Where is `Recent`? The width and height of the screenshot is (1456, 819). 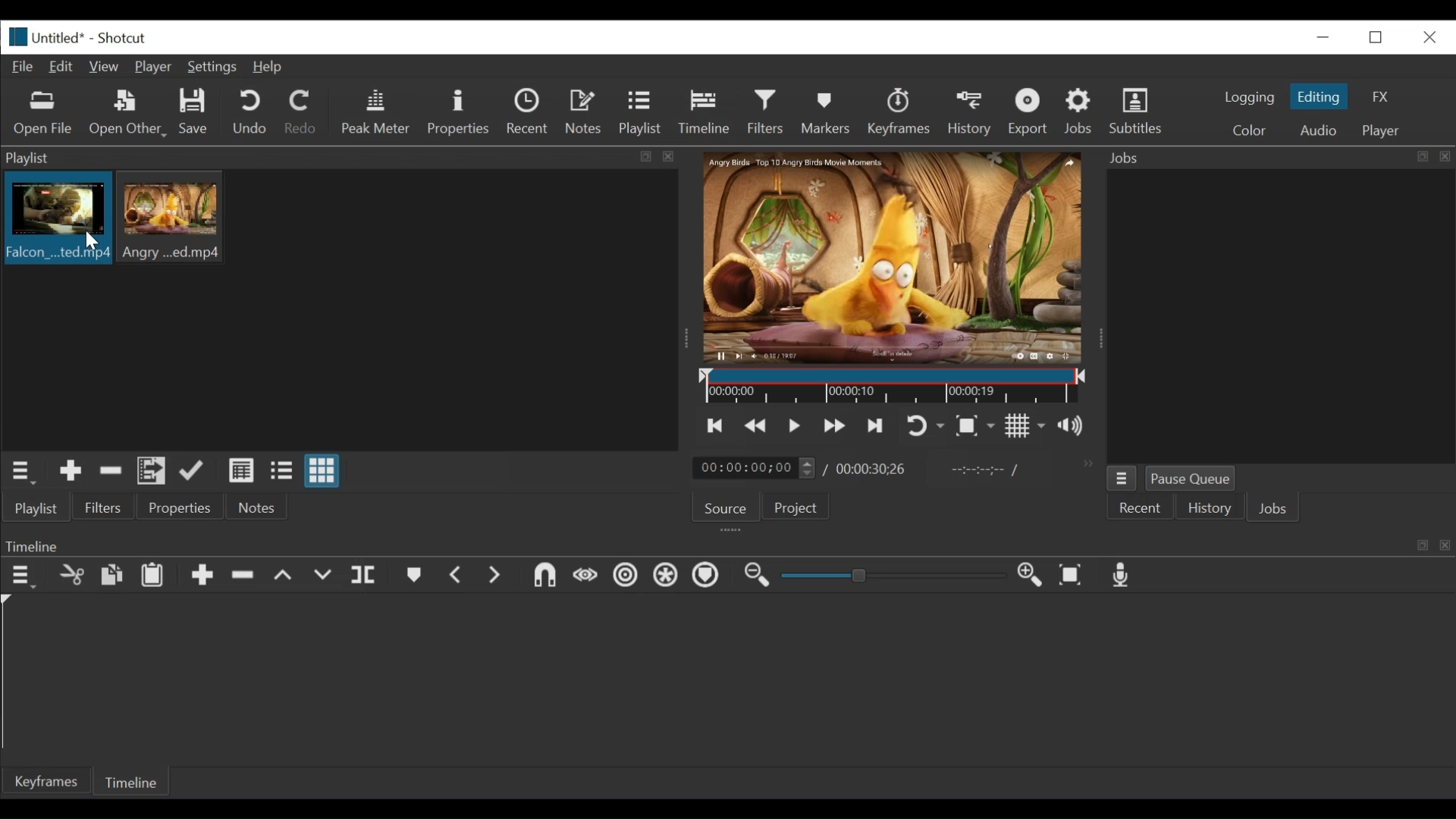 Recent is located at coordinates (531, 114).